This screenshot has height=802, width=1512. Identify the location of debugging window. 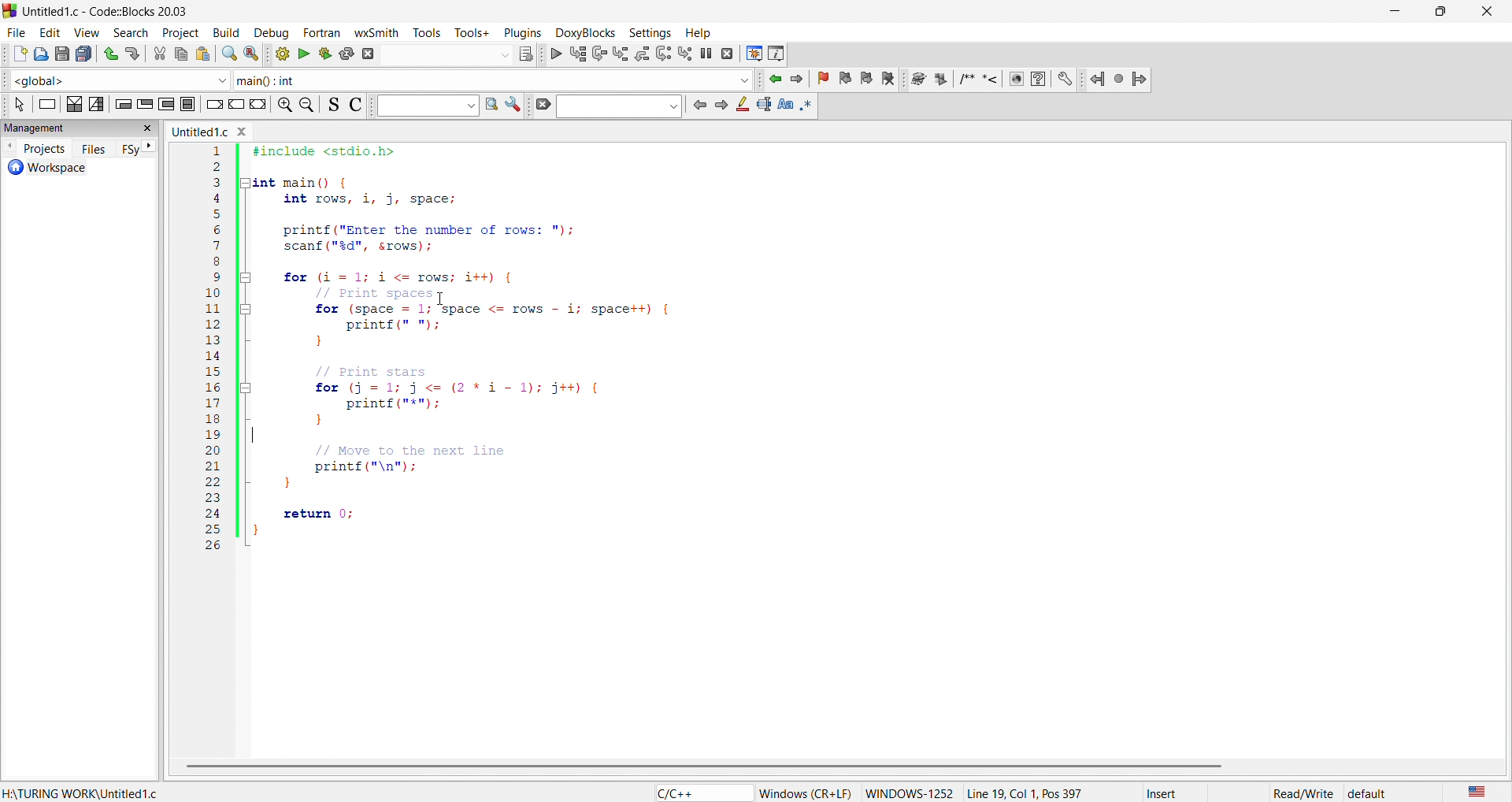
(753, 54).